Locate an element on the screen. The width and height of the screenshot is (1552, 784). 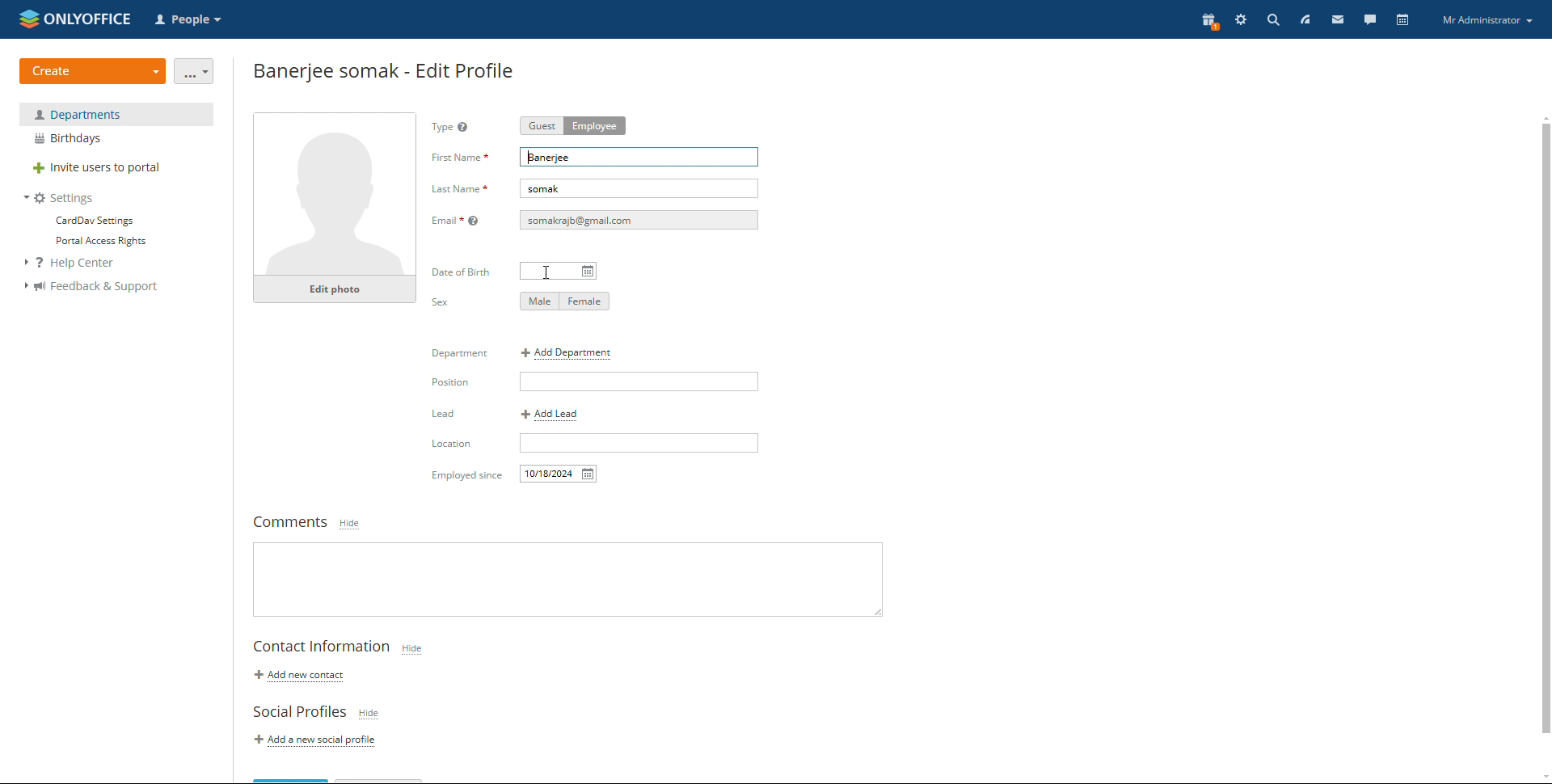
Location is located at coordinates (452, 446).